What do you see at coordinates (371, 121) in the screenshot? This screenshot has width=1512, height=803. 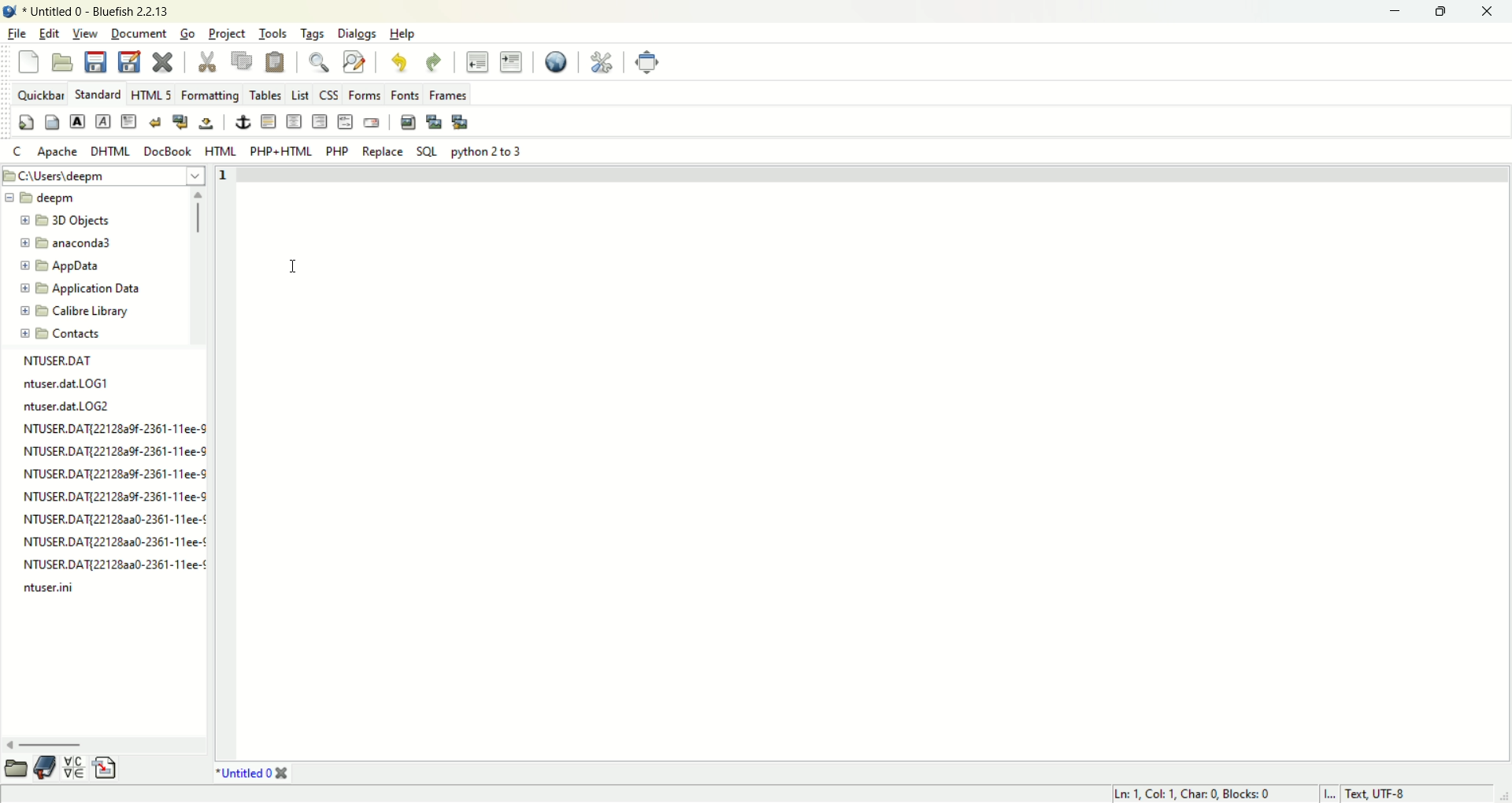 I see `email` at bounding box center [371, 121].